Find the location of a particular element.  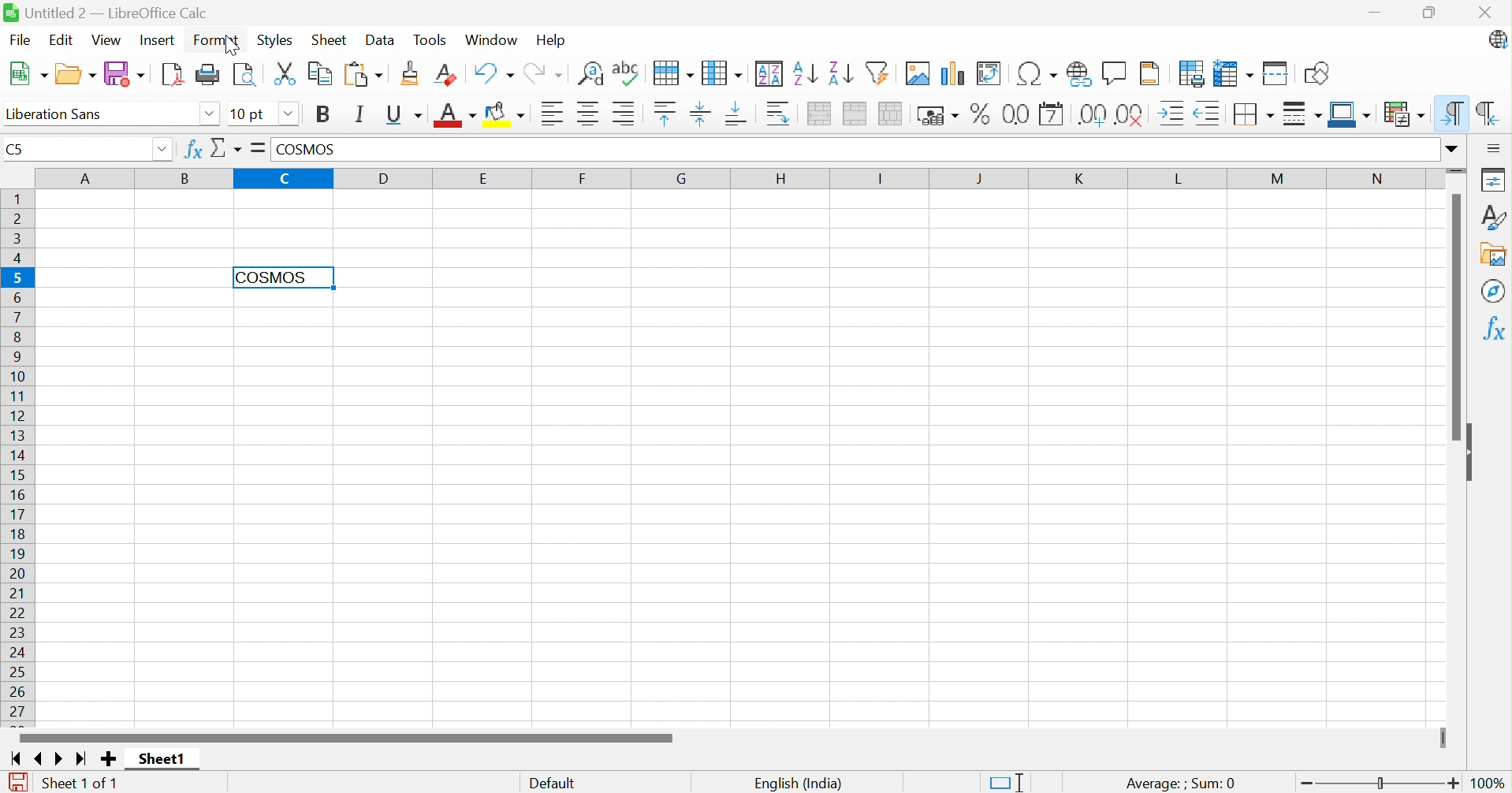

Scroll Bar is located at coordinates (1454, 319).